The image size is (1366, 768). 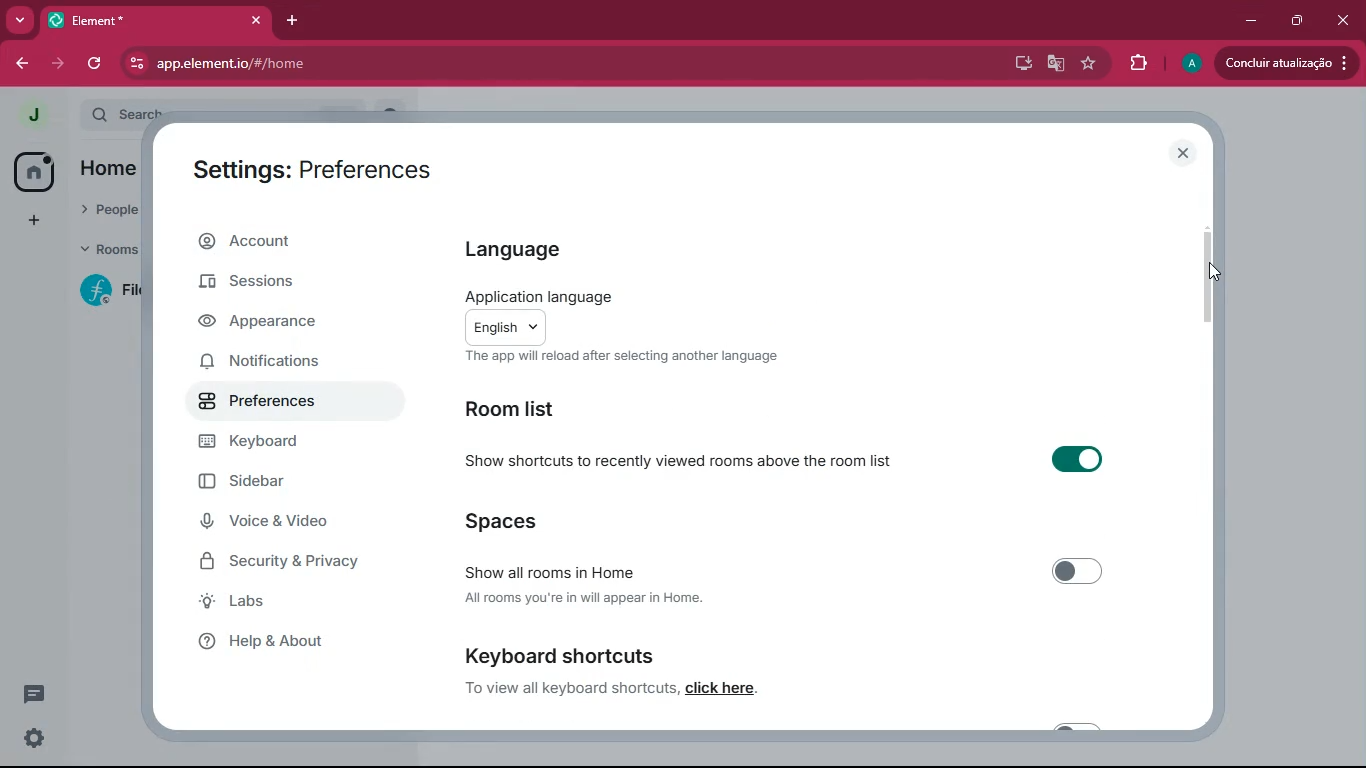 What do you see at coordinates (34, 693) in the screenshot?
I see `conversation` at bounding box center [34, 693].